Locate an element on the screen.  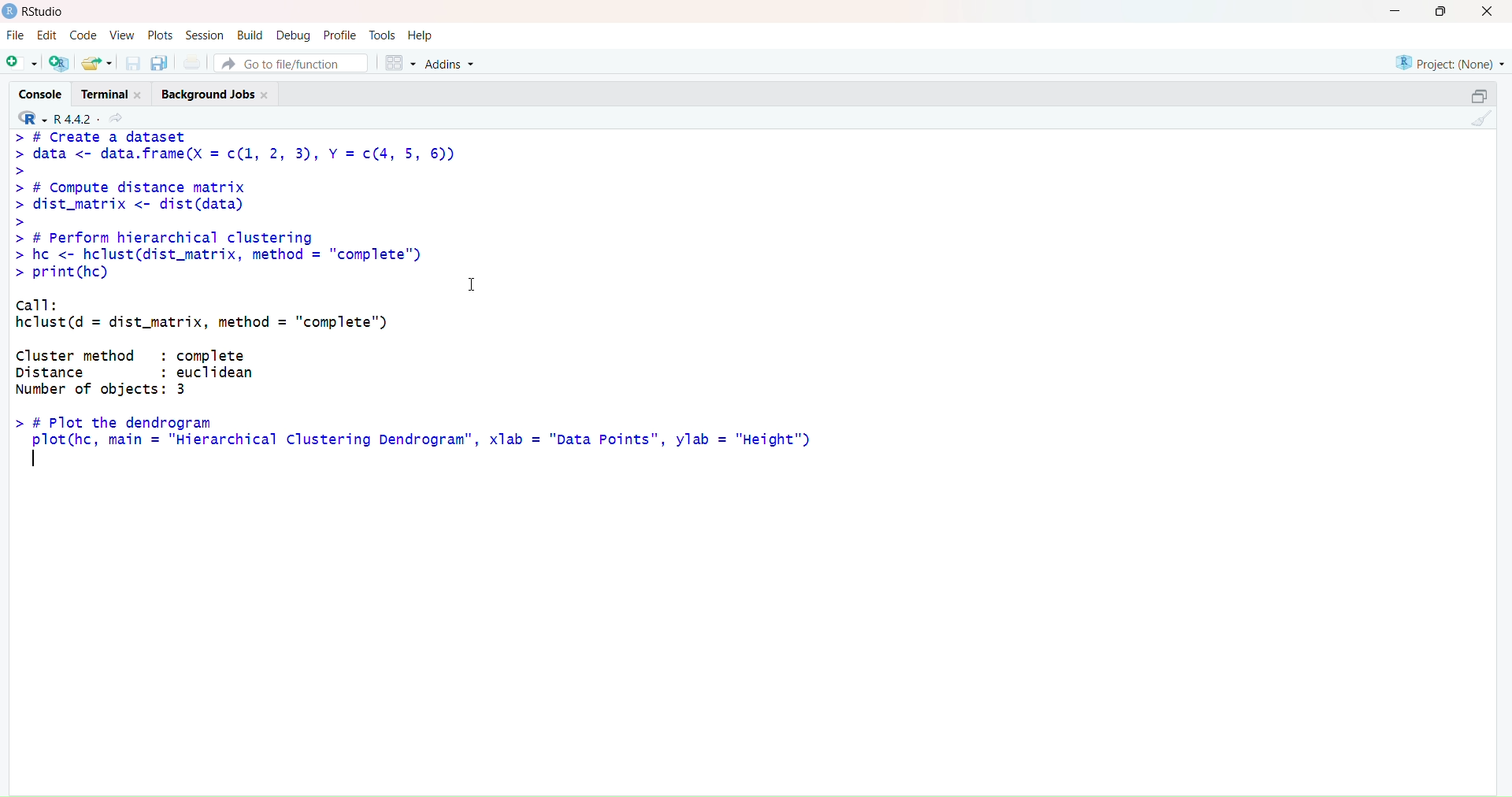
Maximize/Restore is located at coordinates (1446, 13).